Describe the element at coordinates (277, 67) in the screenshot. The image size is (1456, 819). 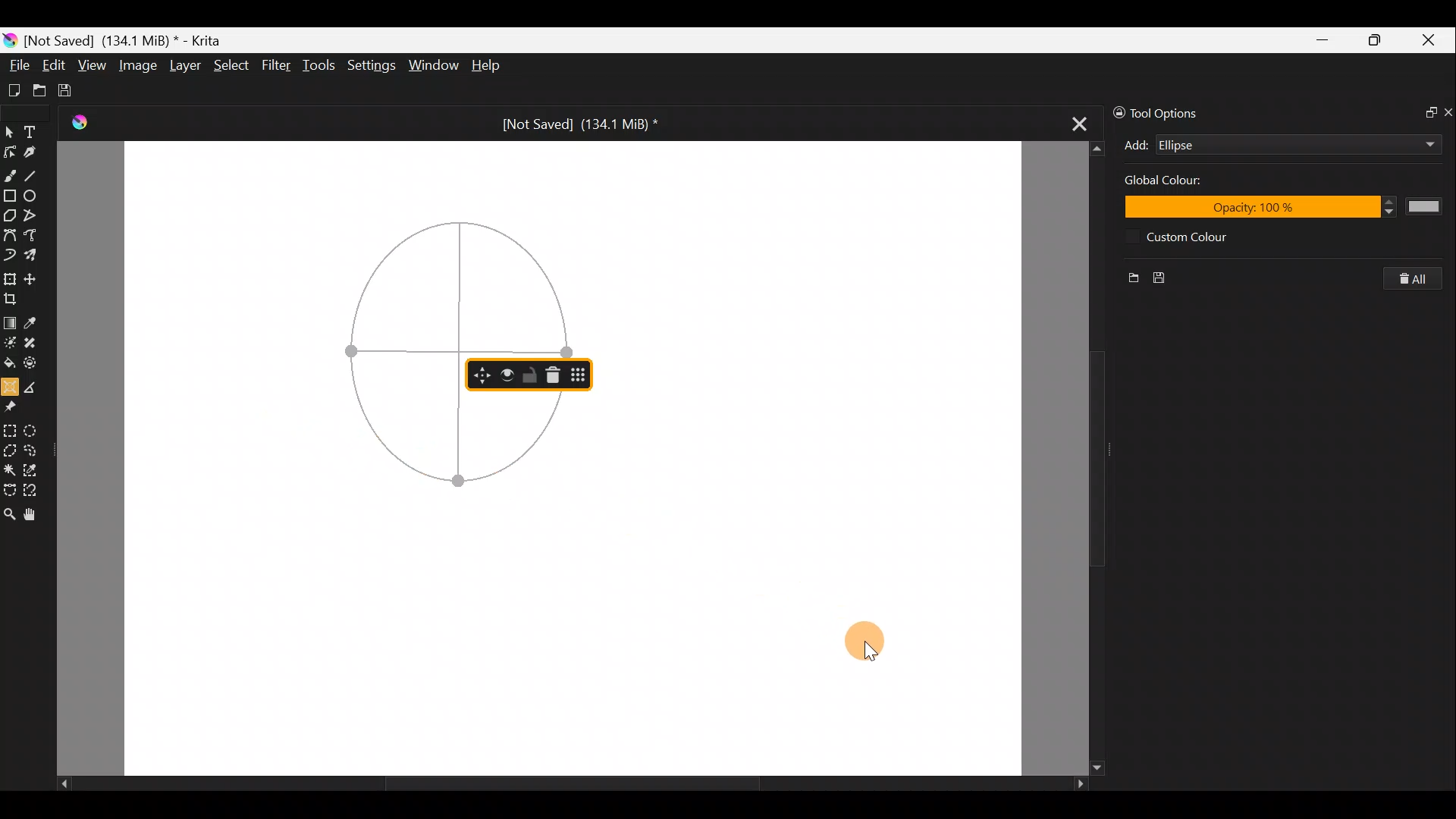
I see `Filter` at that location.